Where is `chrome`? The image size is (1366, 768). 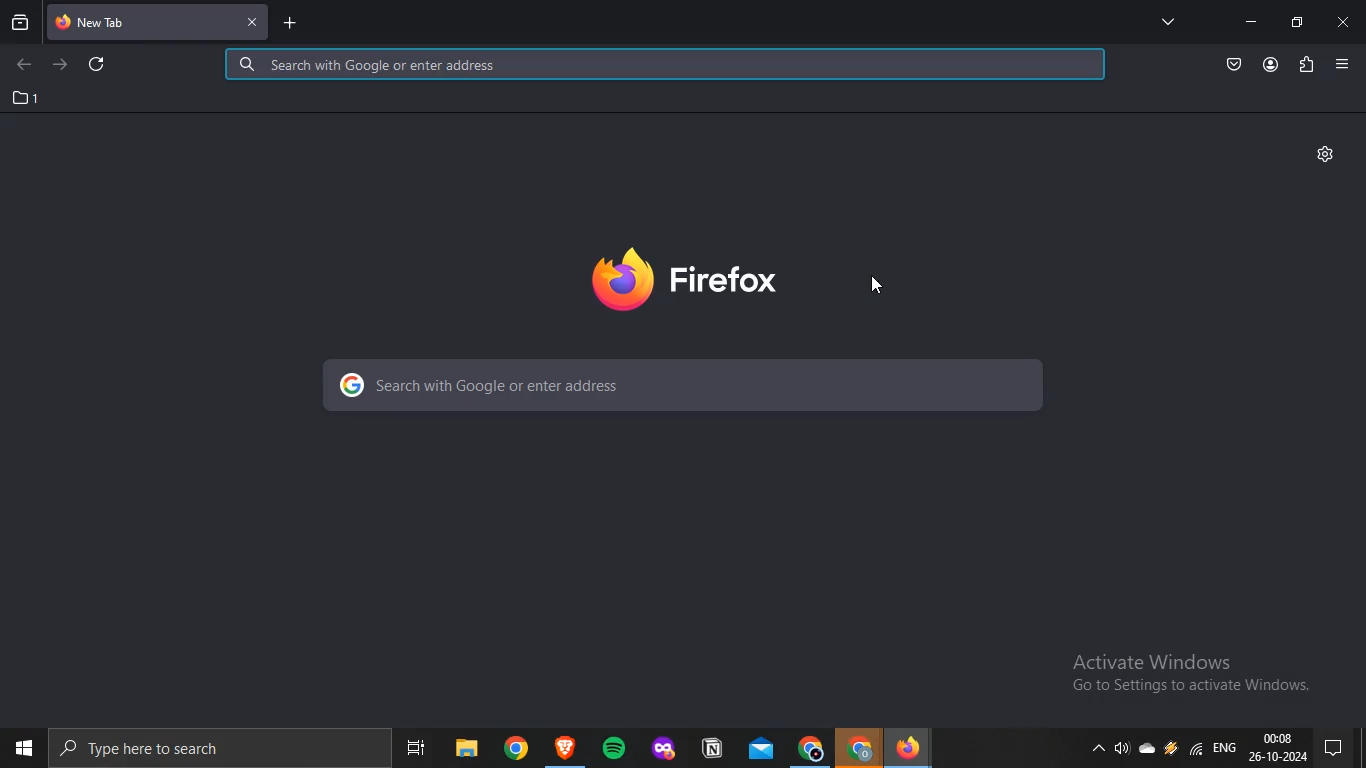 chrome is located at coordinates (860, 748).